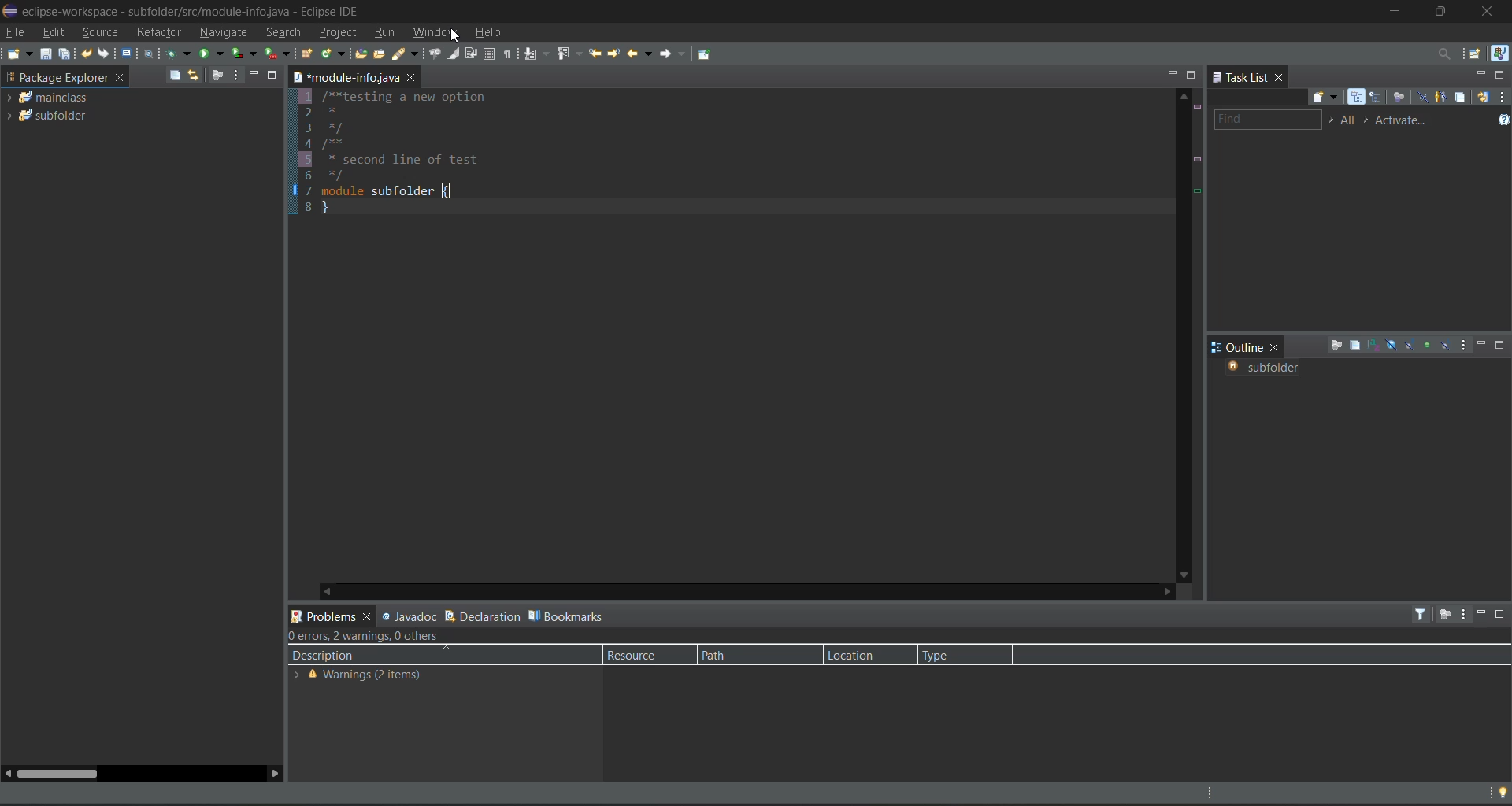 The image size is (1512, 806). I want to click on problems, so click(331, 615).